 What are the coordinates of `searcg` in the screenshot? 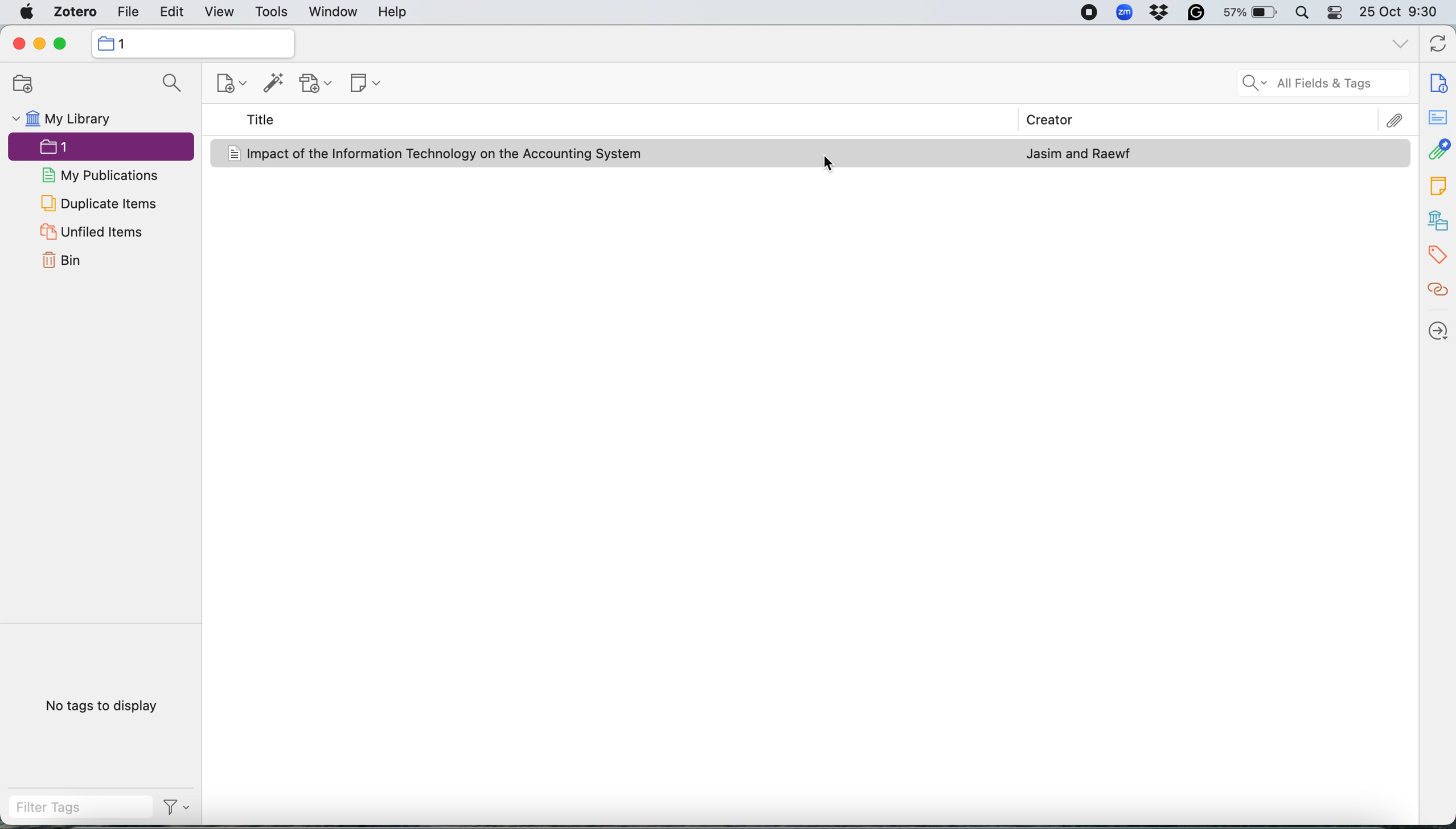 It's located at (170, 84).